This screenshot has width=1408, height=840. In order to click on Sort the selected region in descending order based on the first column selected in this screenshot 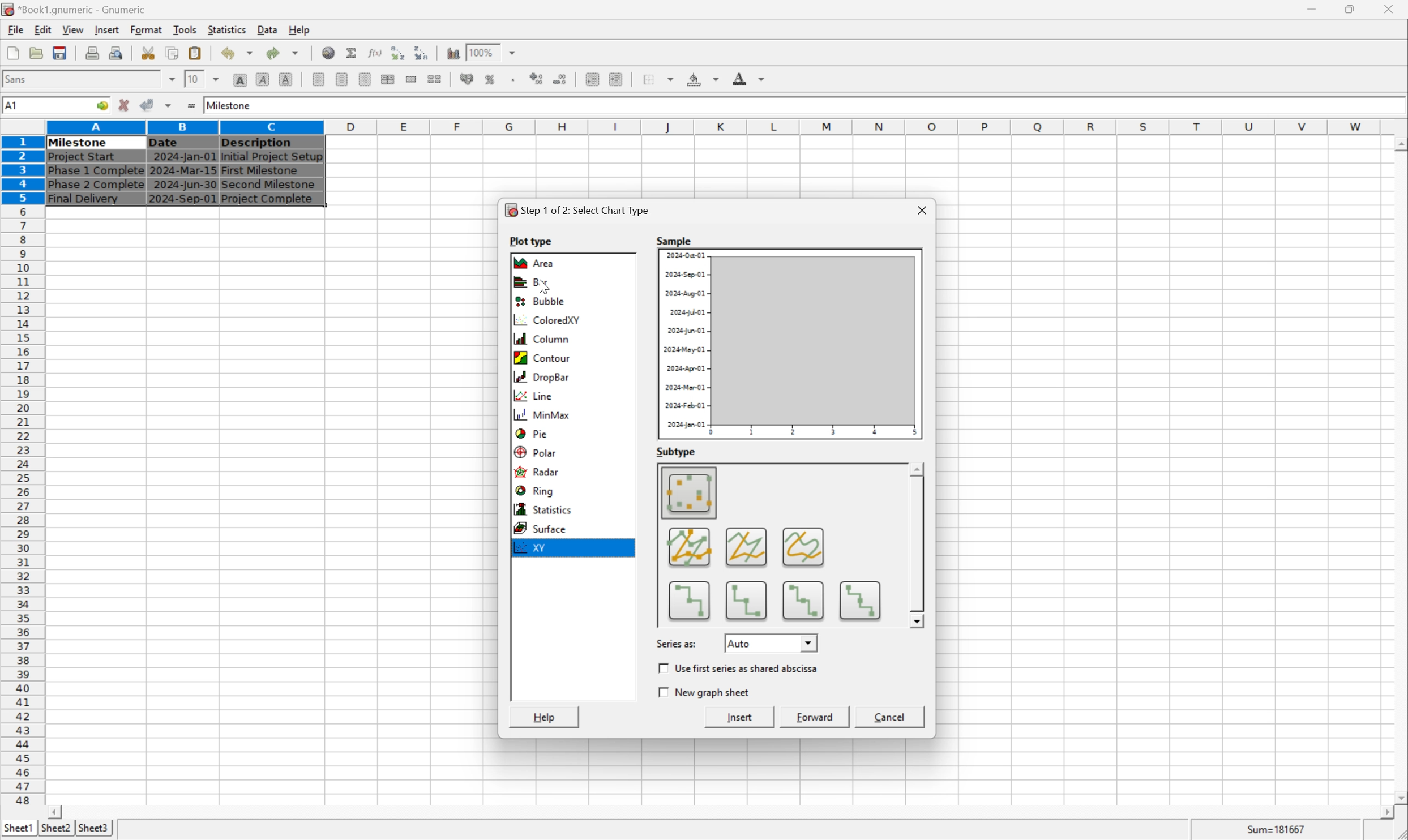, I will do `click(422, 53)`.